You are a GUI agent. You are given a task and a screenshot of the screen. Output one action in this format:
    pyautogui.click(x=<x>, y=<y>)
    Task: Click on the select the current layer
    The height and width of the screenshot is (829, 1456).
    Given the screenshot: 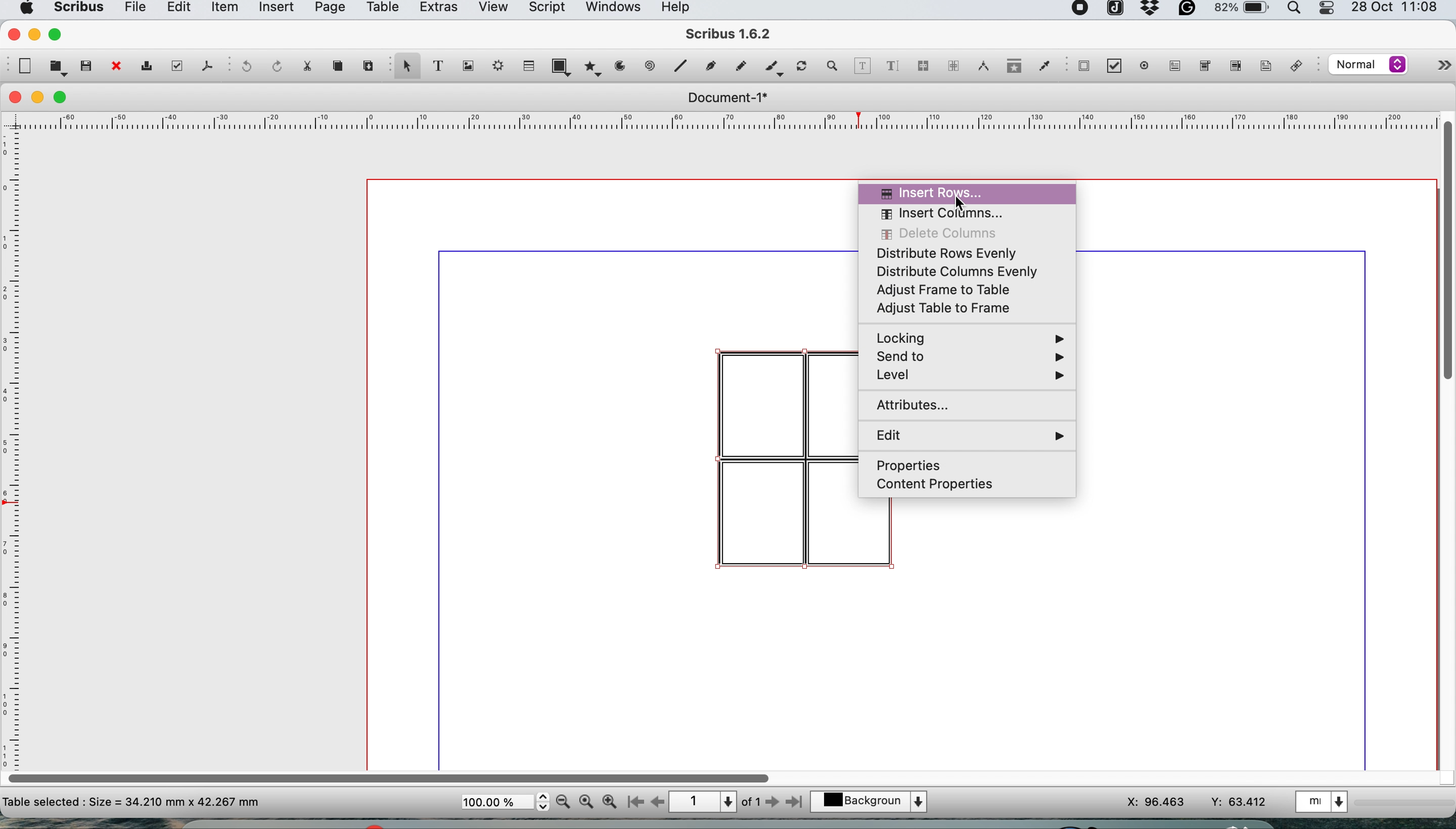 What is the action you would take?
    pyautogui.click(x=875, y=803)
    